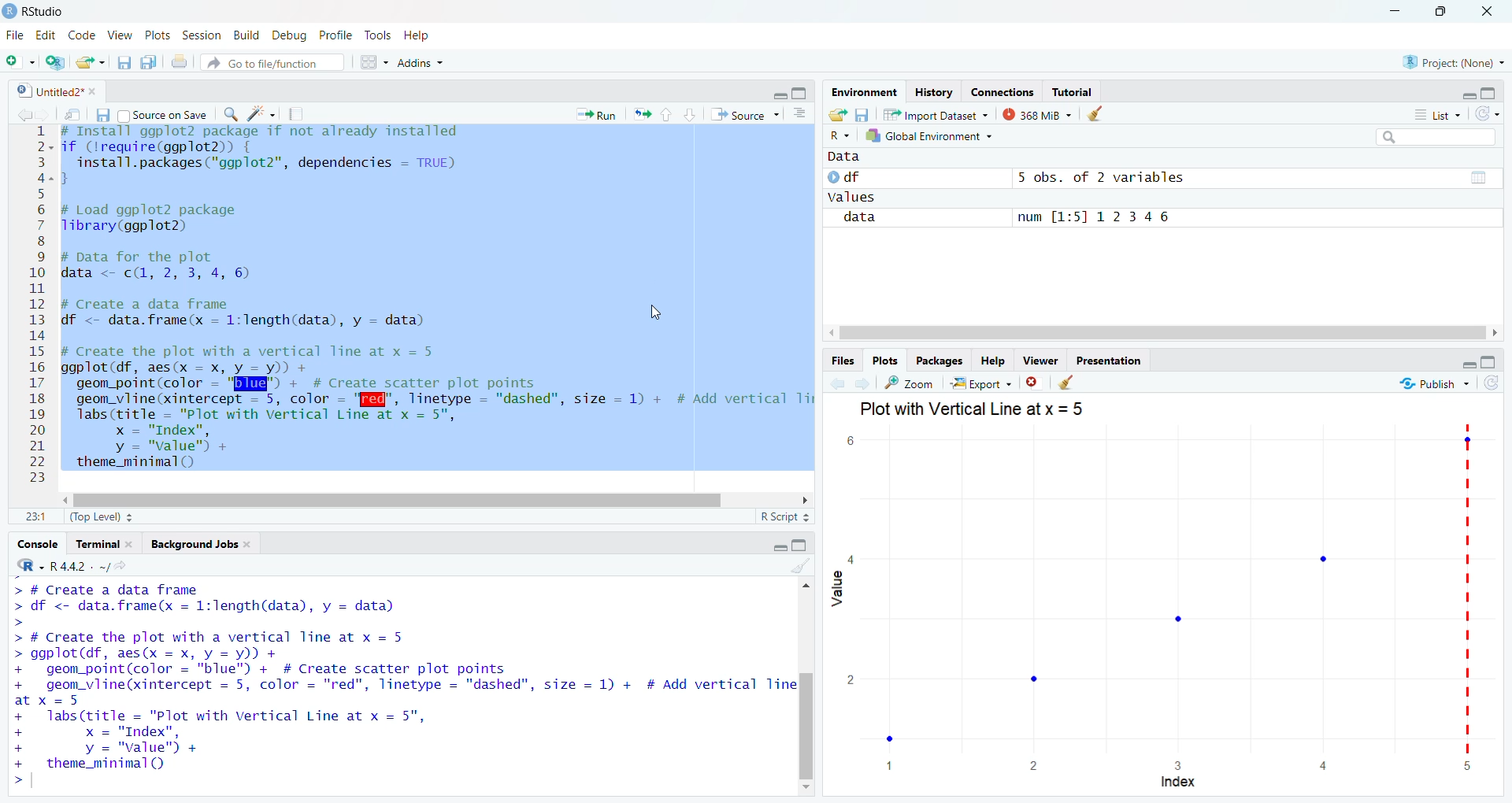 The width and height of the screenshot is (1512, 803). I want to click on maximise, so click(802, 92).